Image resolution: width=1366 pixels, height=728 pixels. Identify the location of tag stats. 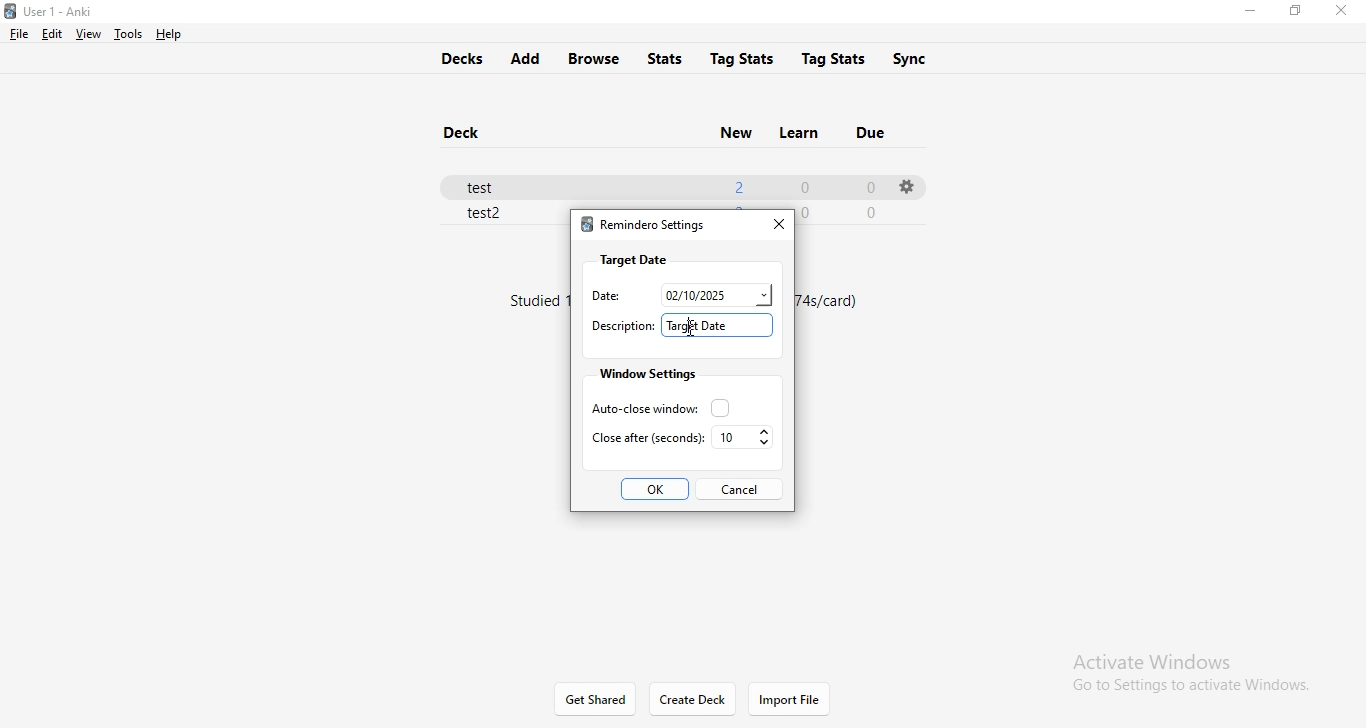
(742, 57).